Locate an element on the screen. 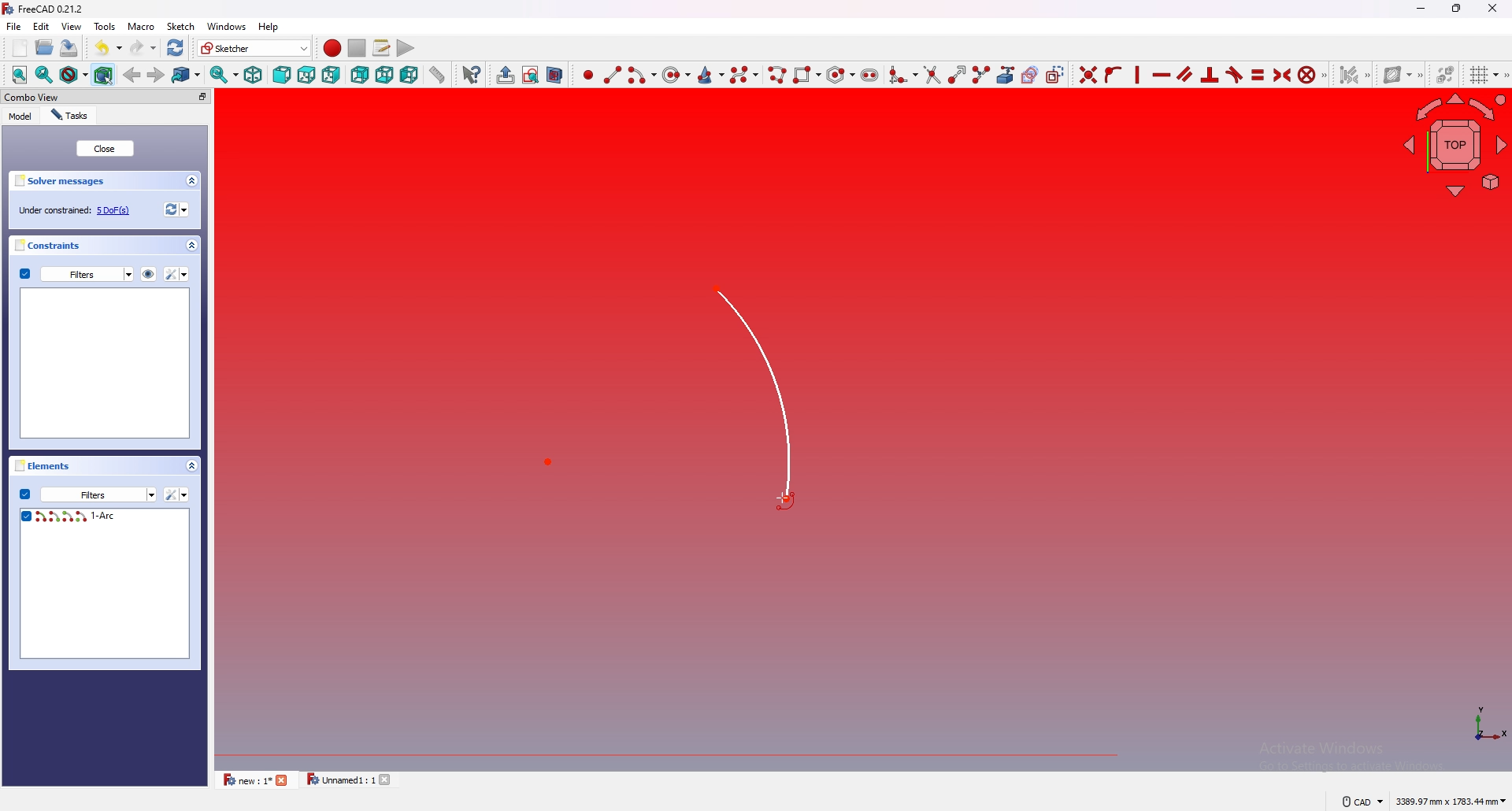 The width and height of the screenshot is (1512, 811). back is located at coordinates (360, 75).